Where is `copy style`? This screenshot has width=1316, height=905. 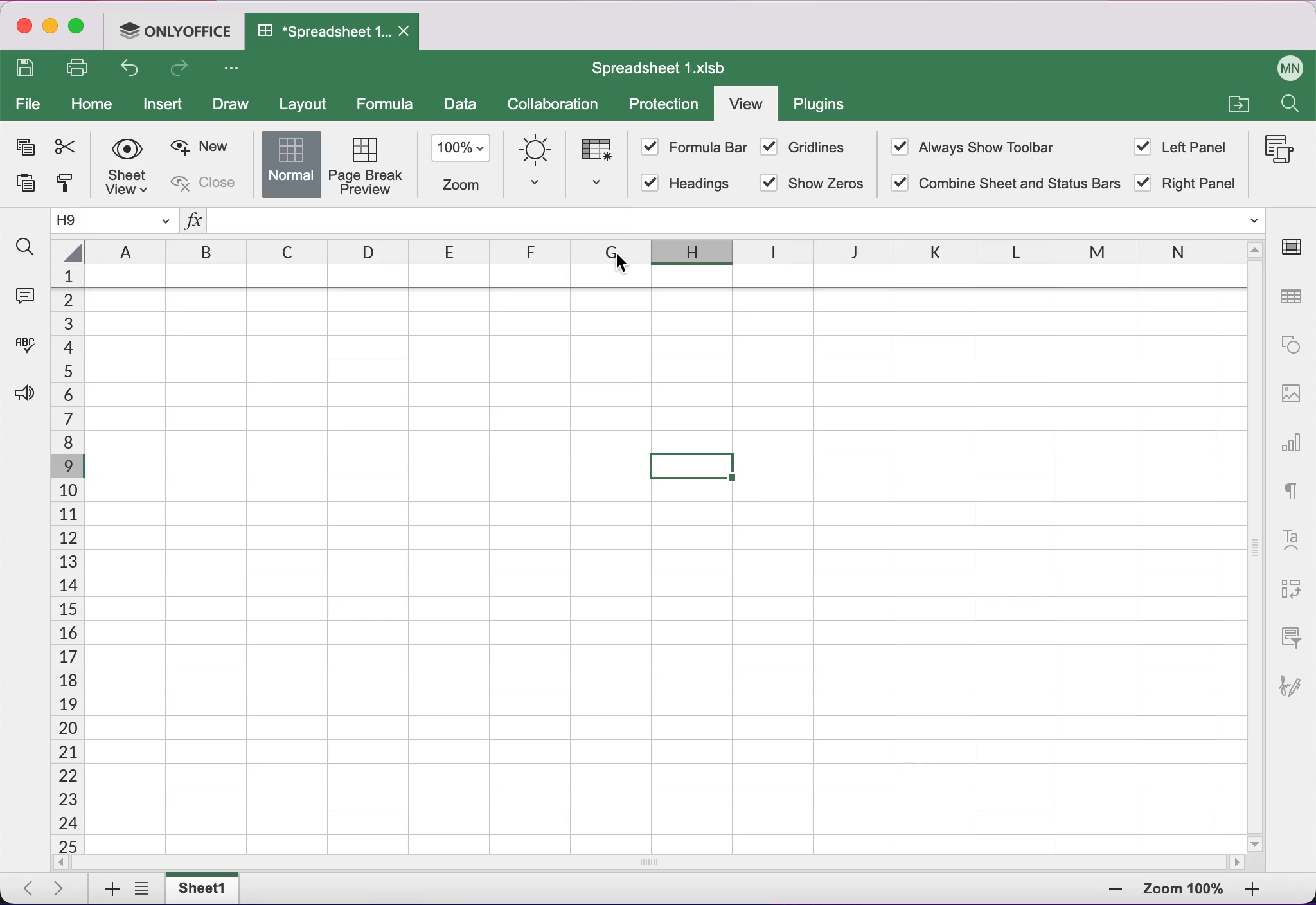
copy style is located at coordinates (69, 186).